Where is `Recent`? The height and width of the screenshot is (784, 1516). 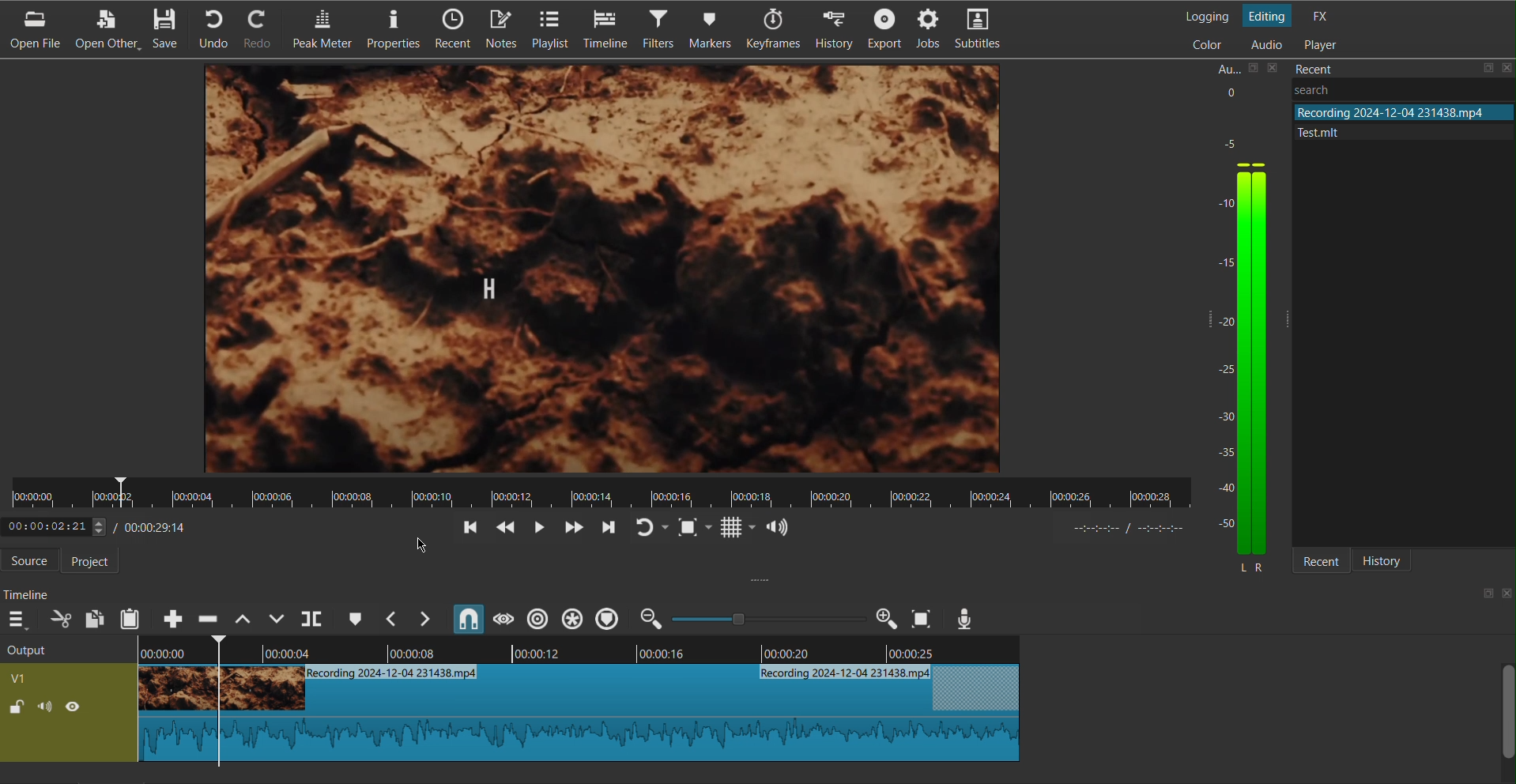 Recent is located at coordinates (1322, 562).